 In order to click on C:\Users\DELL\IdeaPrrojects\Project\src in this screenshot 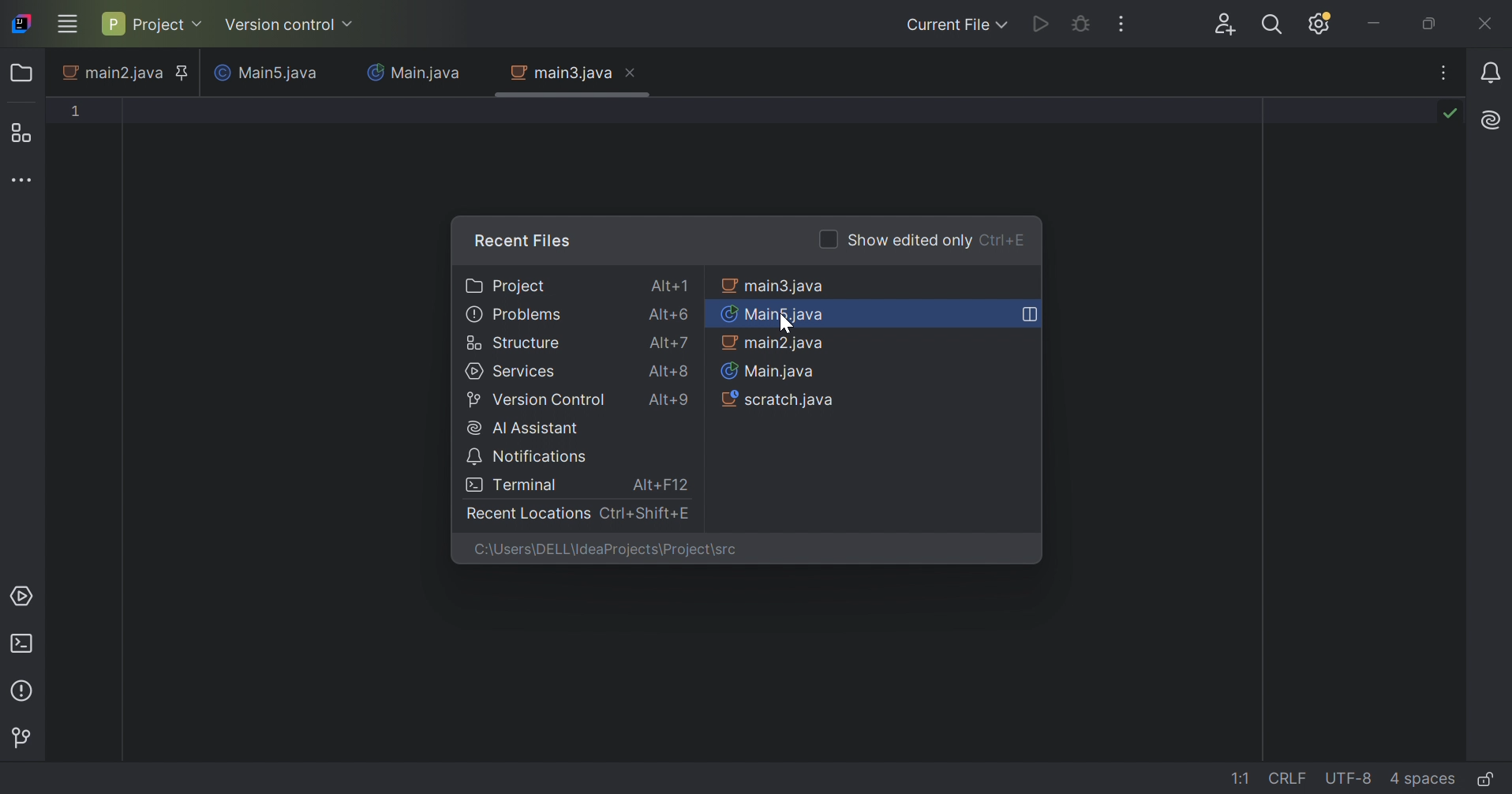, I will do `click(604, 549)`.